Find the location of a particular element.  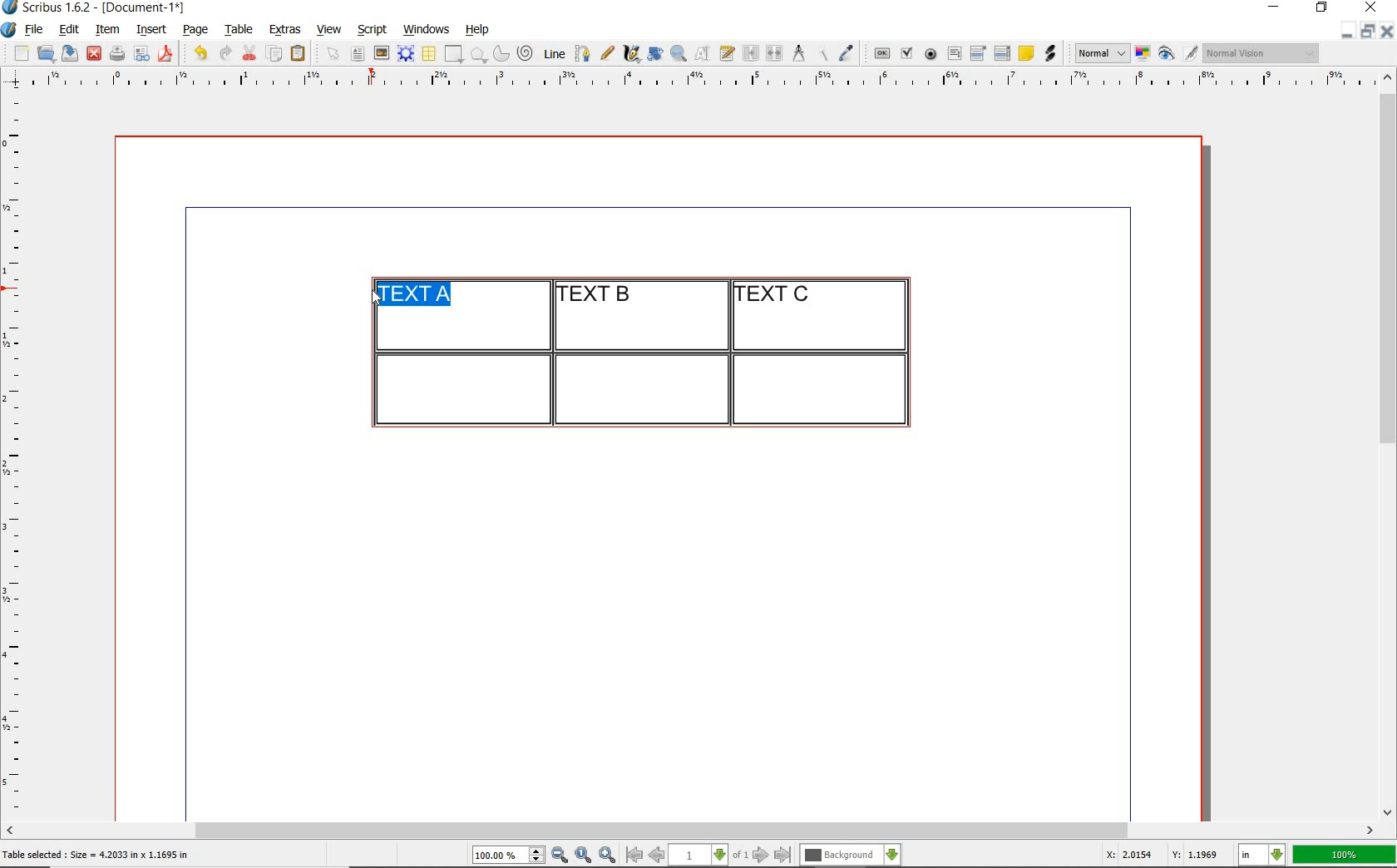

pdf check box is located at coordinates (906, 54).